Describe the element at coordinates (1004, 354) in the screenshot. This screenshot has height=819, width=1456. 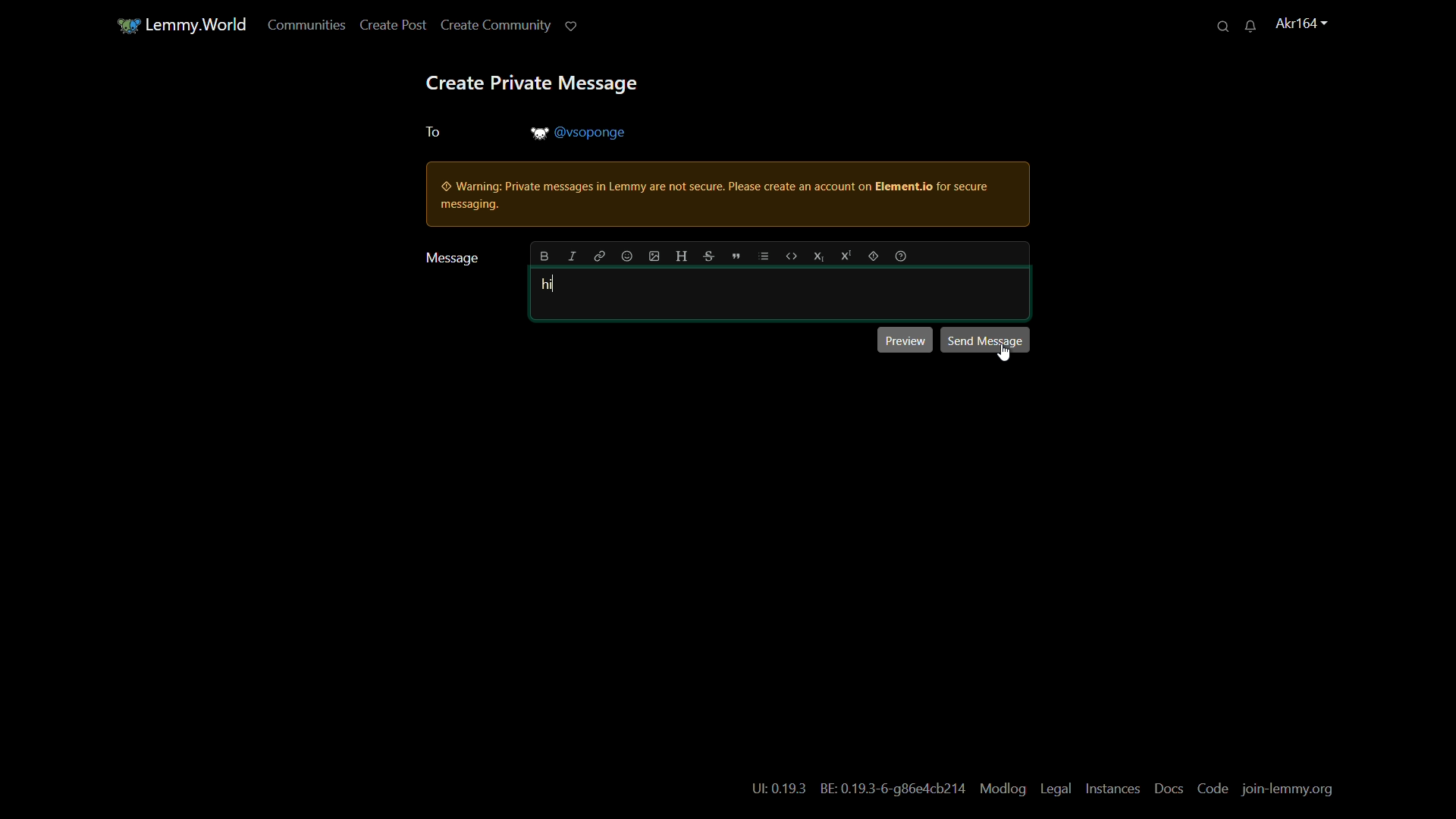
I see `cursor` at that location.